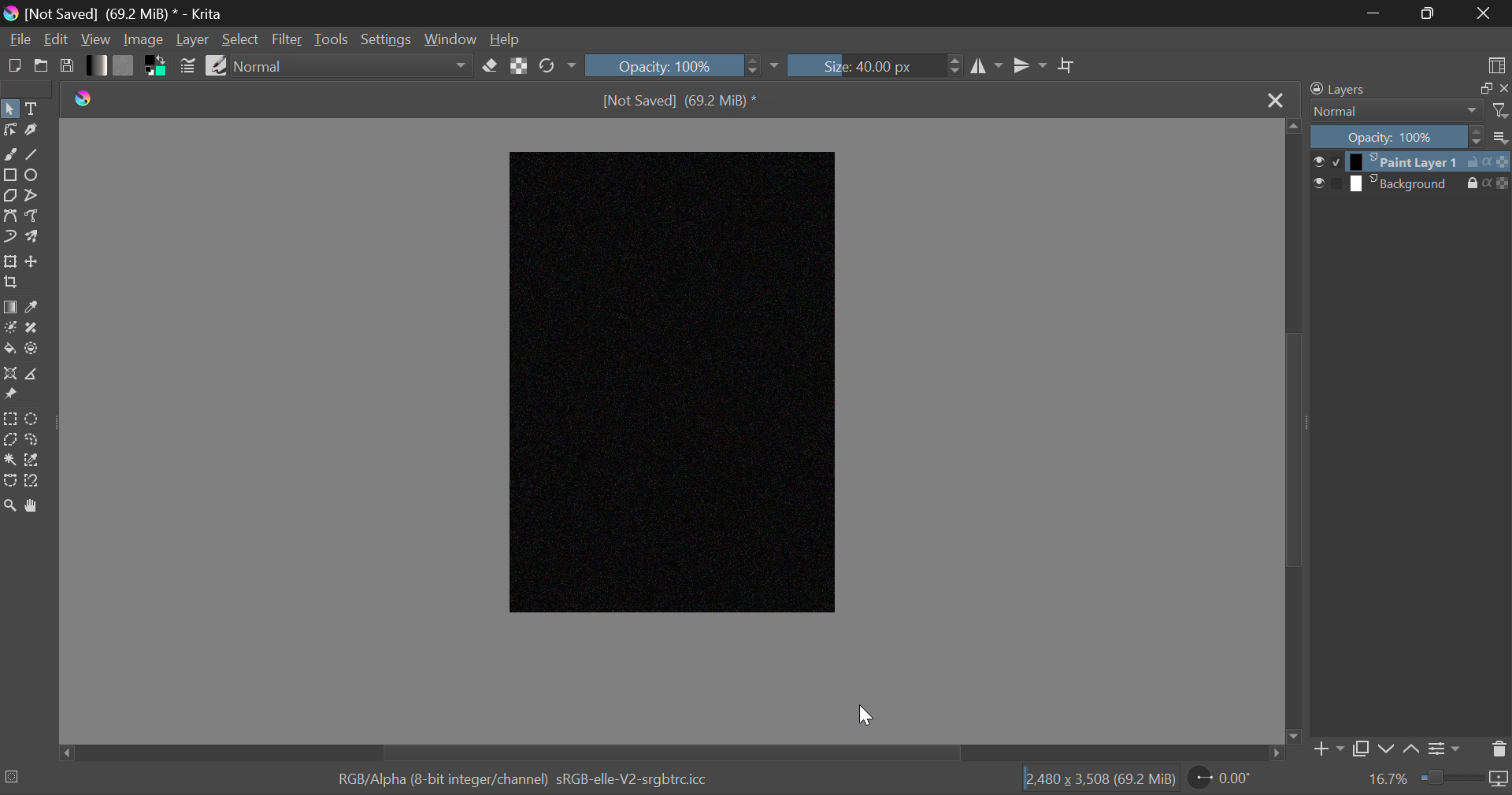 The image size is (1512, 795). I want to click on Blending Mode, so click(1393, 111).